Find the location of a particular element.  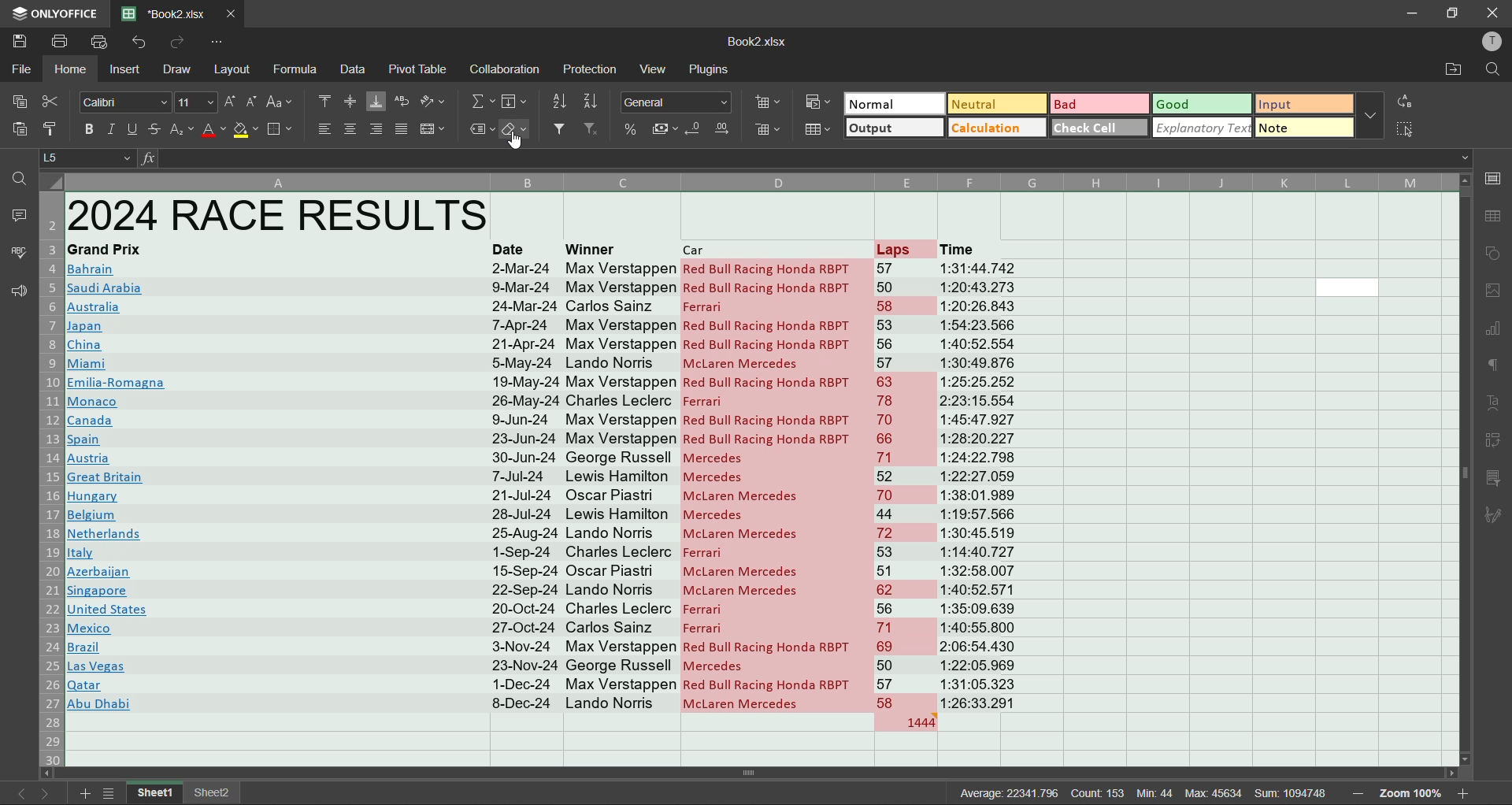

sheet list is located at coordinates (114, 793).